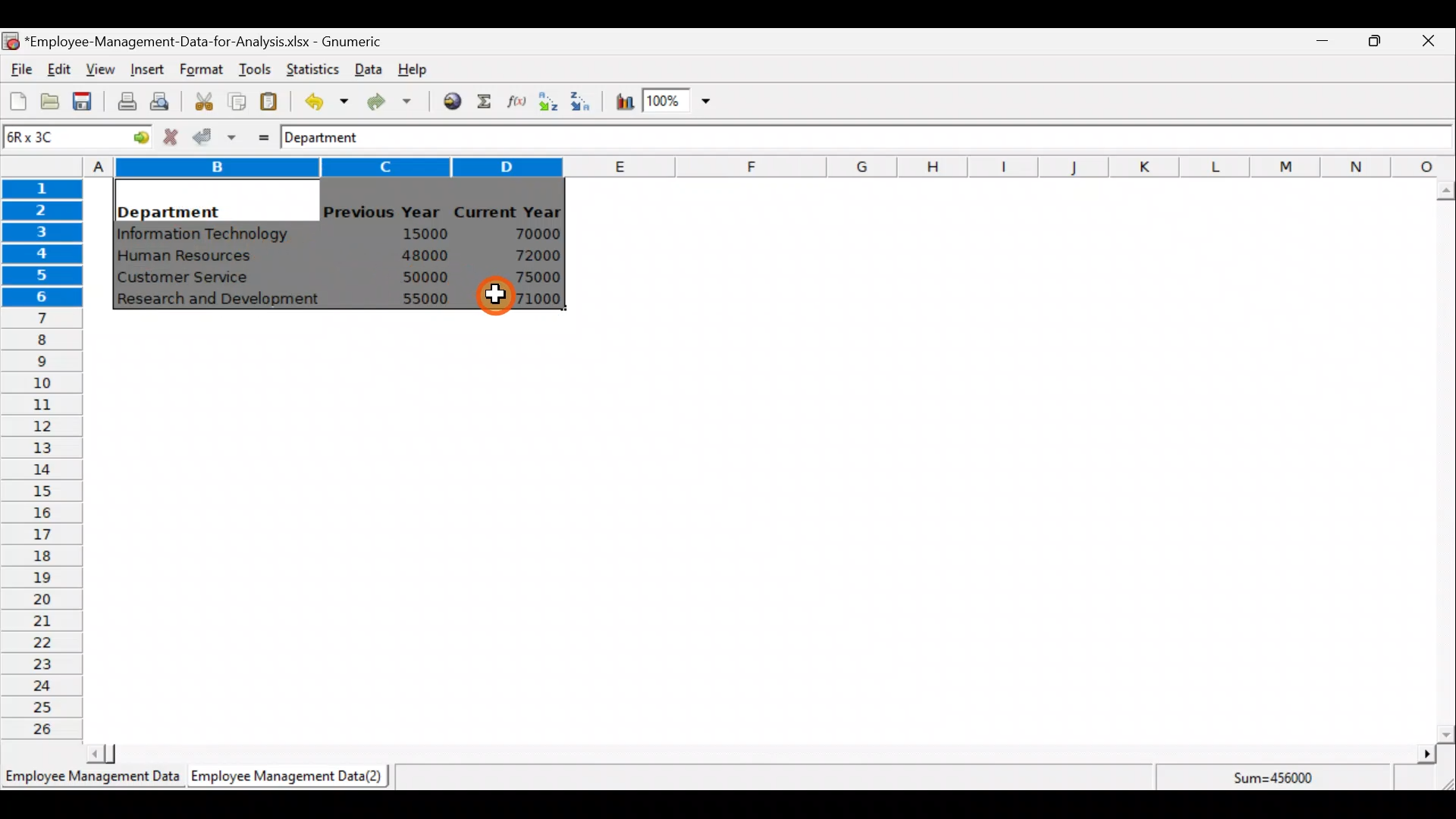  Describe the element at coordinates (254, 71) in the screenshot. I see `Tools` at that location.